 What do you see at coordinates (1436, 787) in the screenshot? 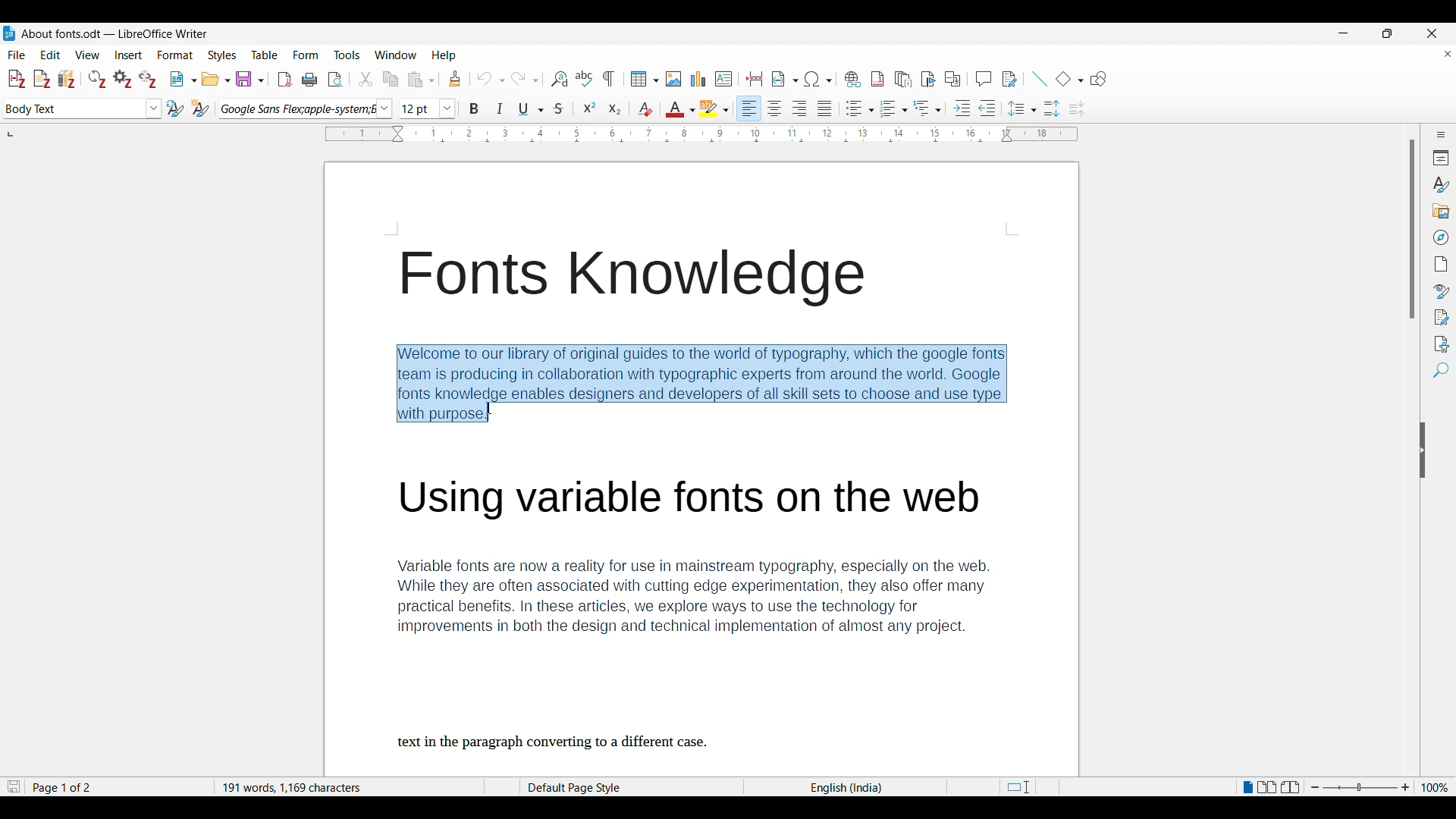
I see `Current zoom factor` at bounding box center [1436, 787].